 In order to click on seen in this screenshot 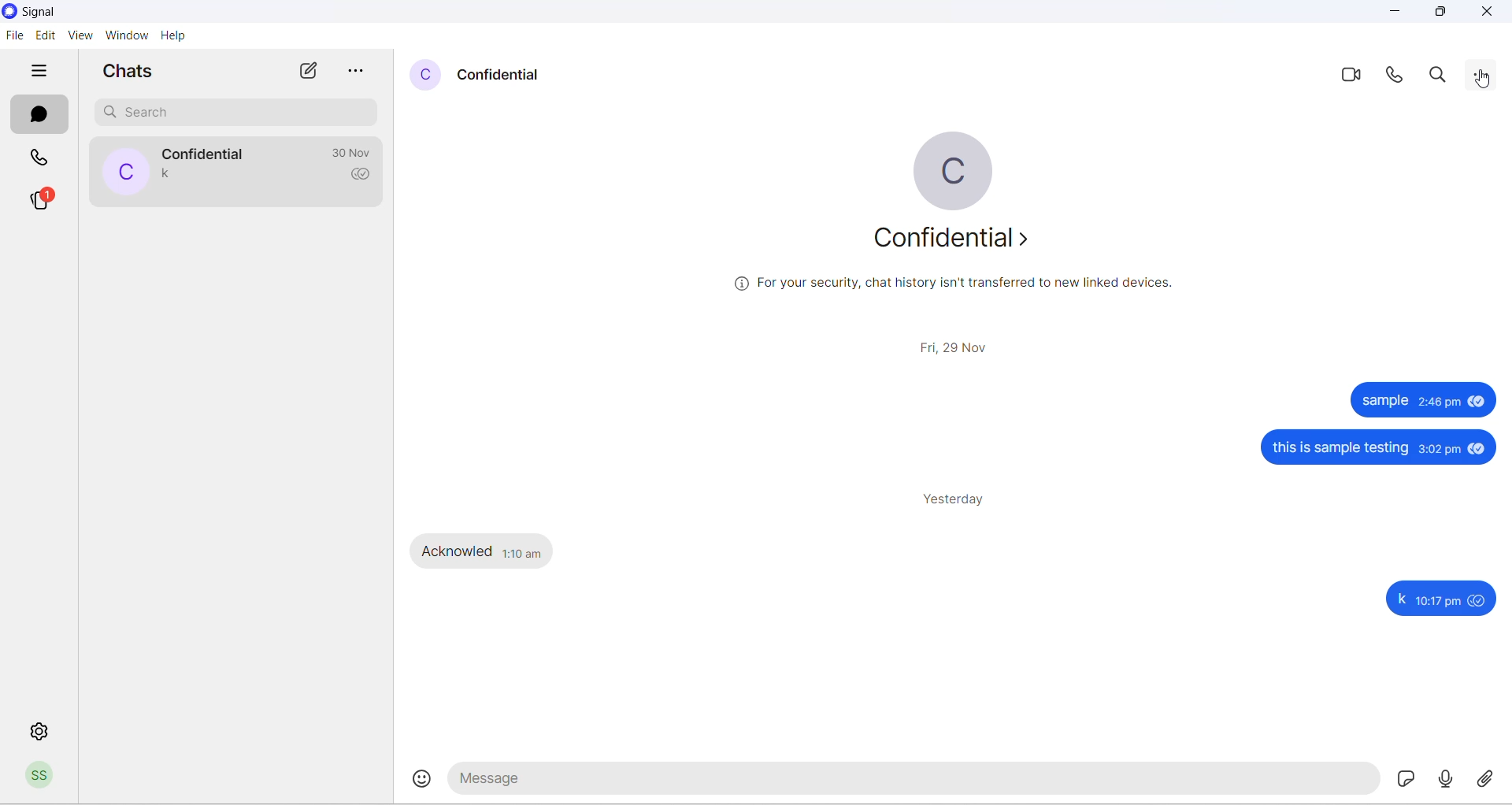, I will do `click(1479, 448)`.